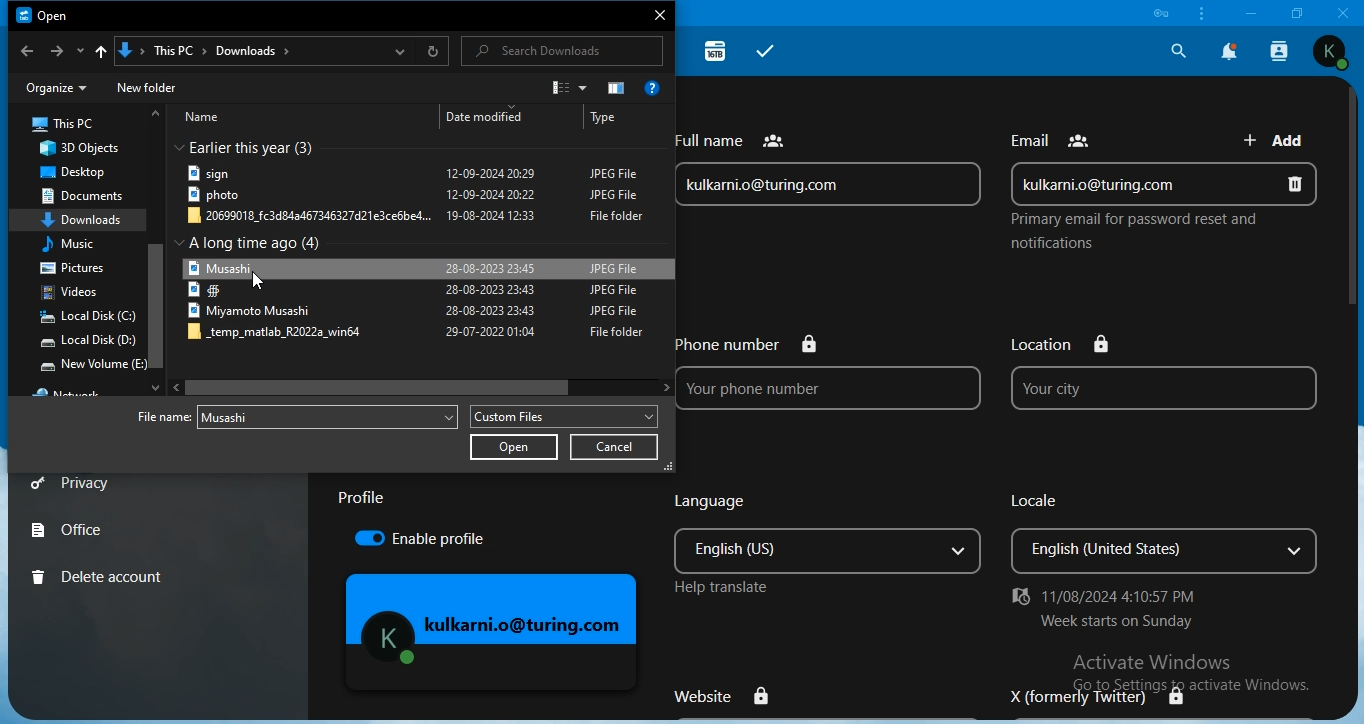  Describe the element at coordinates (78, 150) in the screenshot. I see `3d objects` at that location.